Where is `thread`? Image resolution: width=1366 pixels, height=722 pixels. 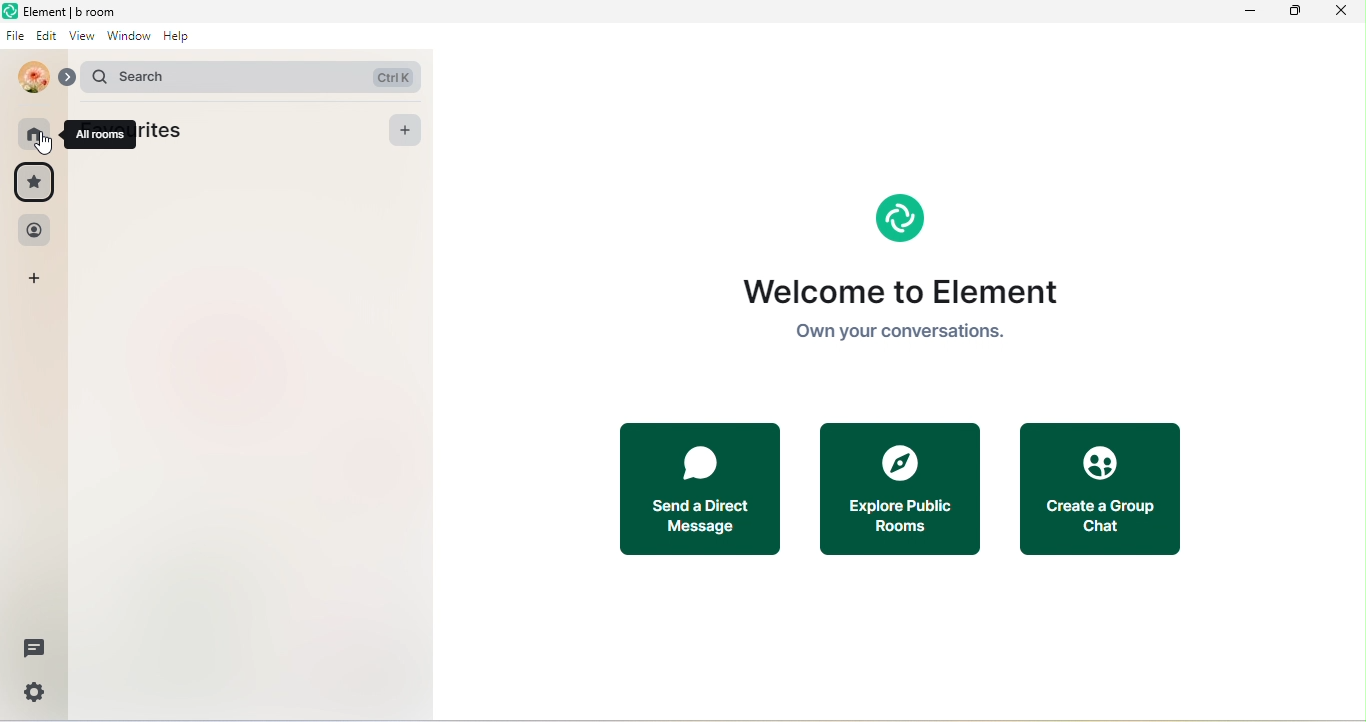 thread is located at coordinates (33, 649).